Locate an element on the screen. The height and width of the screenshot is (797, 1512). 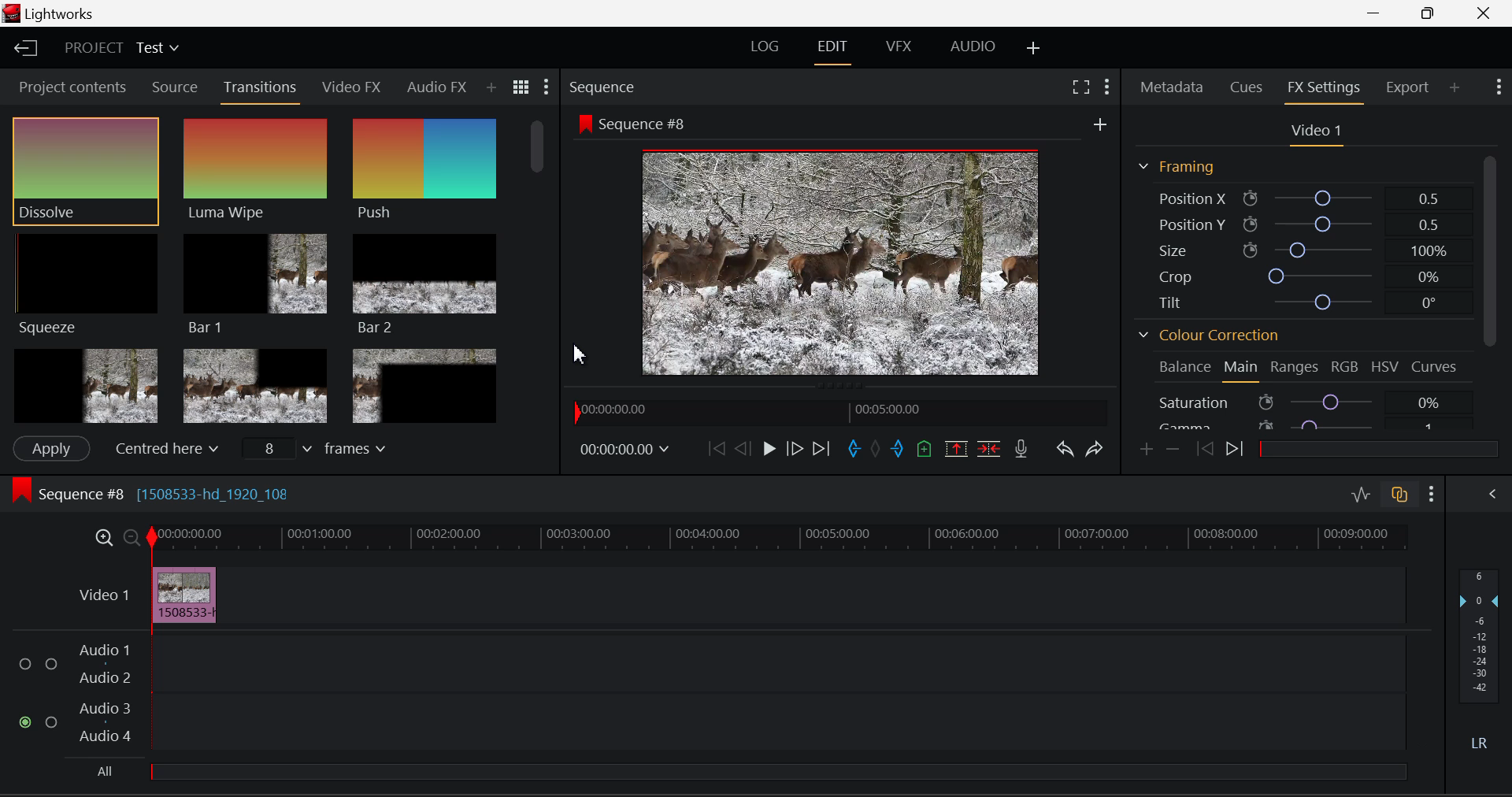
Box 3 is located at coordinates (424, 386).